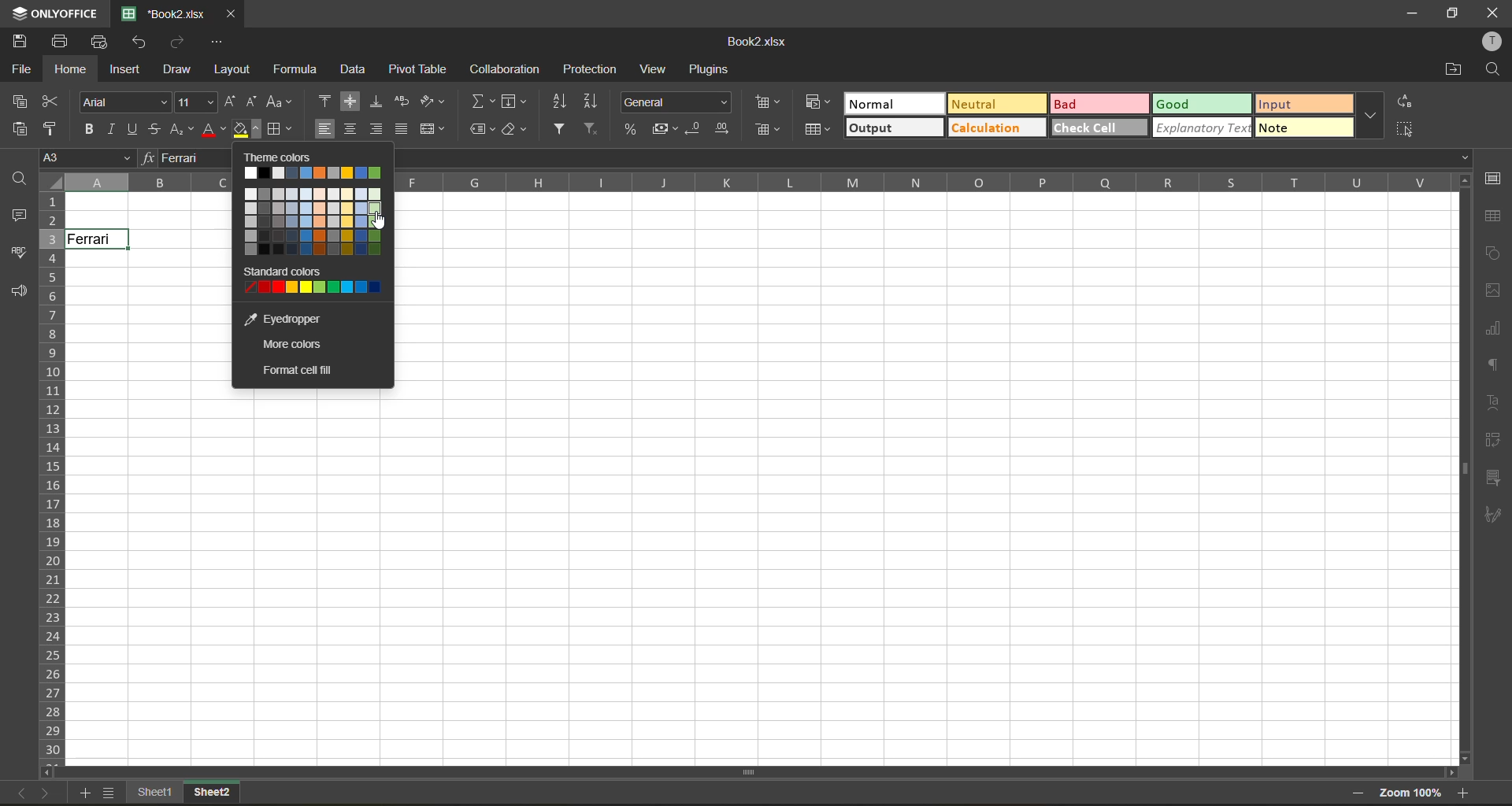 Image resolution: width=1512 pixels, height=806 pixels. What do you see at coordinates (110, 792) in the screenshot?
I see `sheet list` at bounding box center [110, 792].